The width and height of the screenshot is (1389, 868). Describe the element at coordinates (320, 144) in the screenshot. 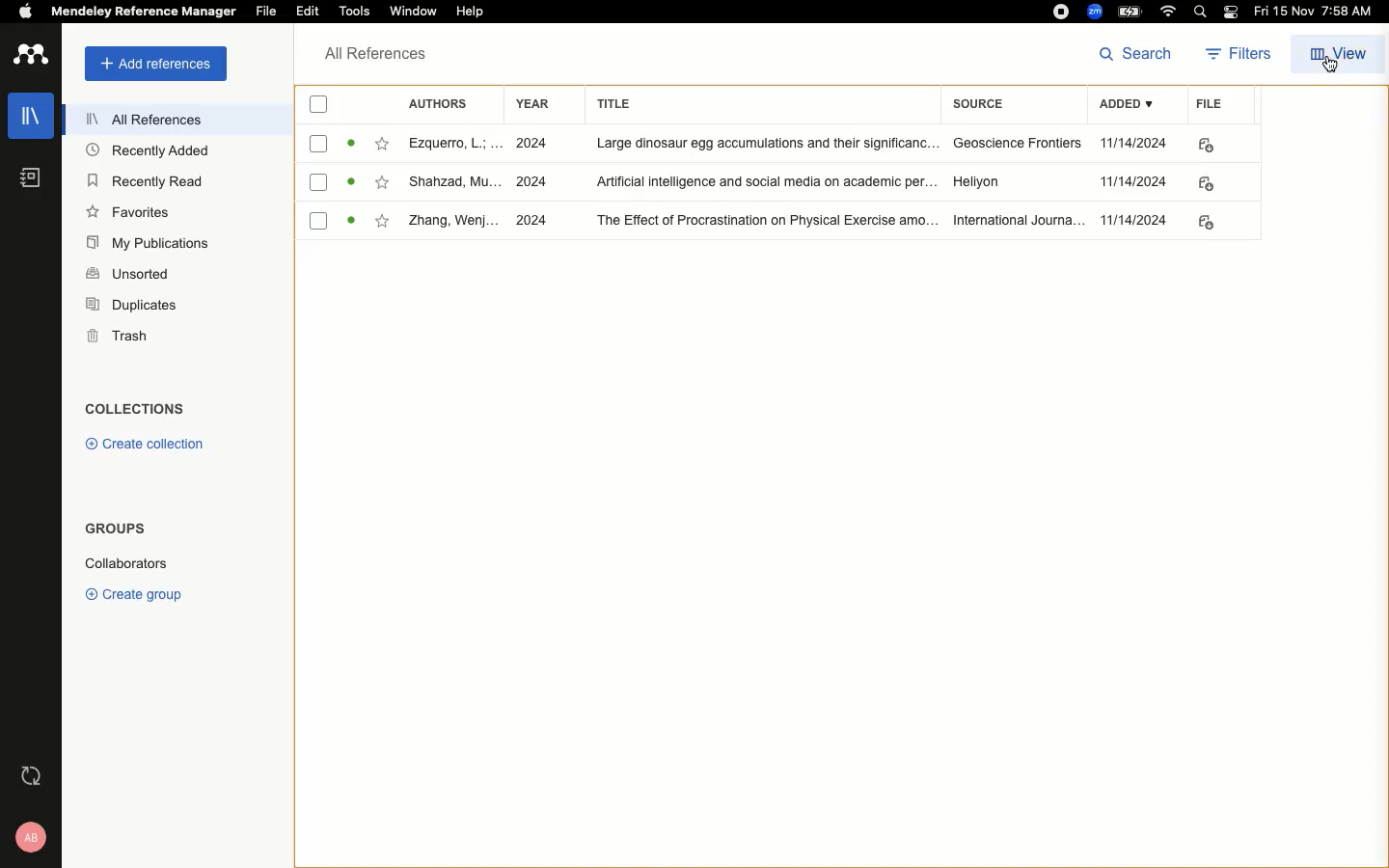

I see `Checkbox` at that location.